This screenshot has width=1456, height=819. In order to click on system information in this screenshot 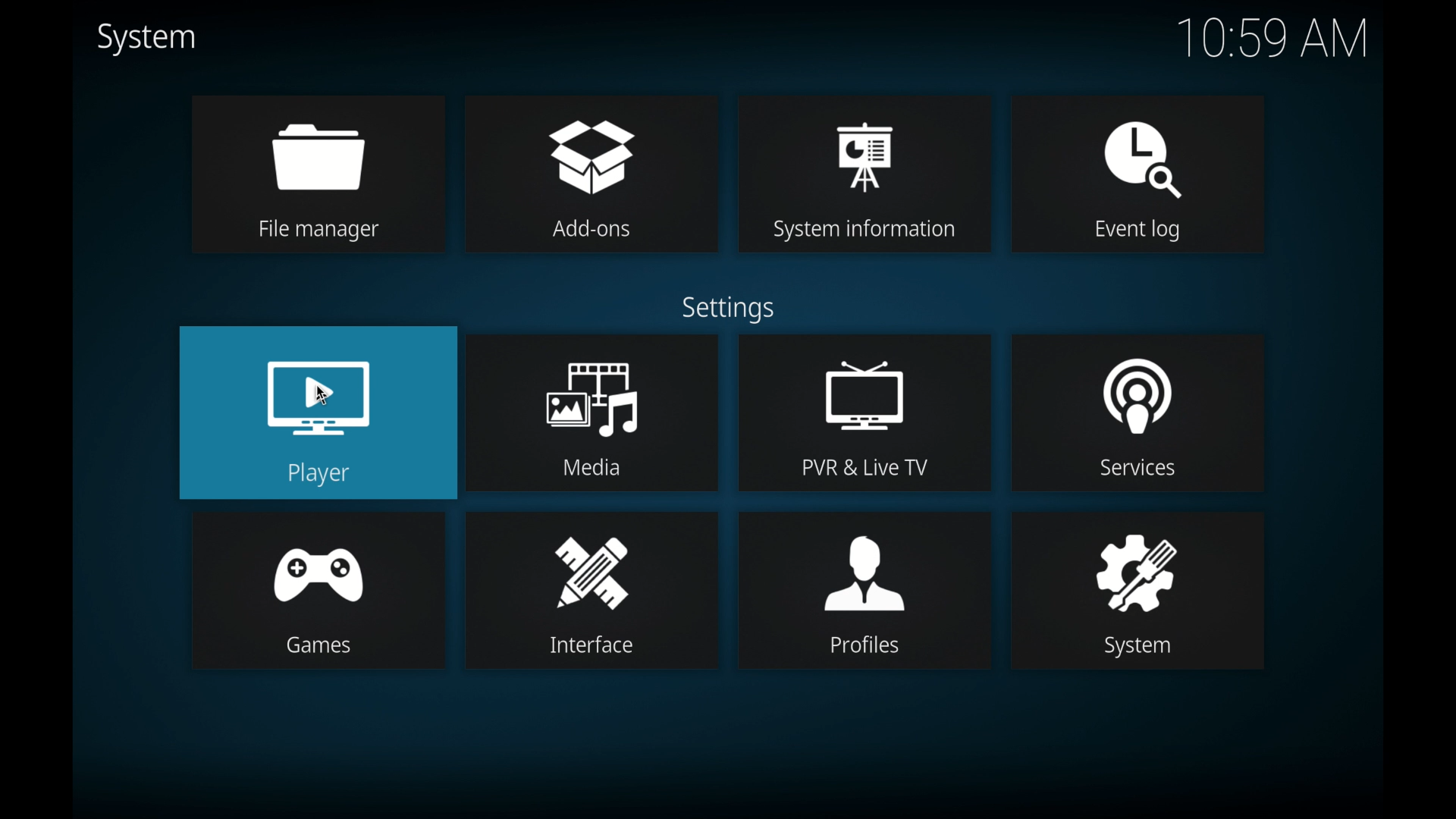, I will do `click(863, 171)`.